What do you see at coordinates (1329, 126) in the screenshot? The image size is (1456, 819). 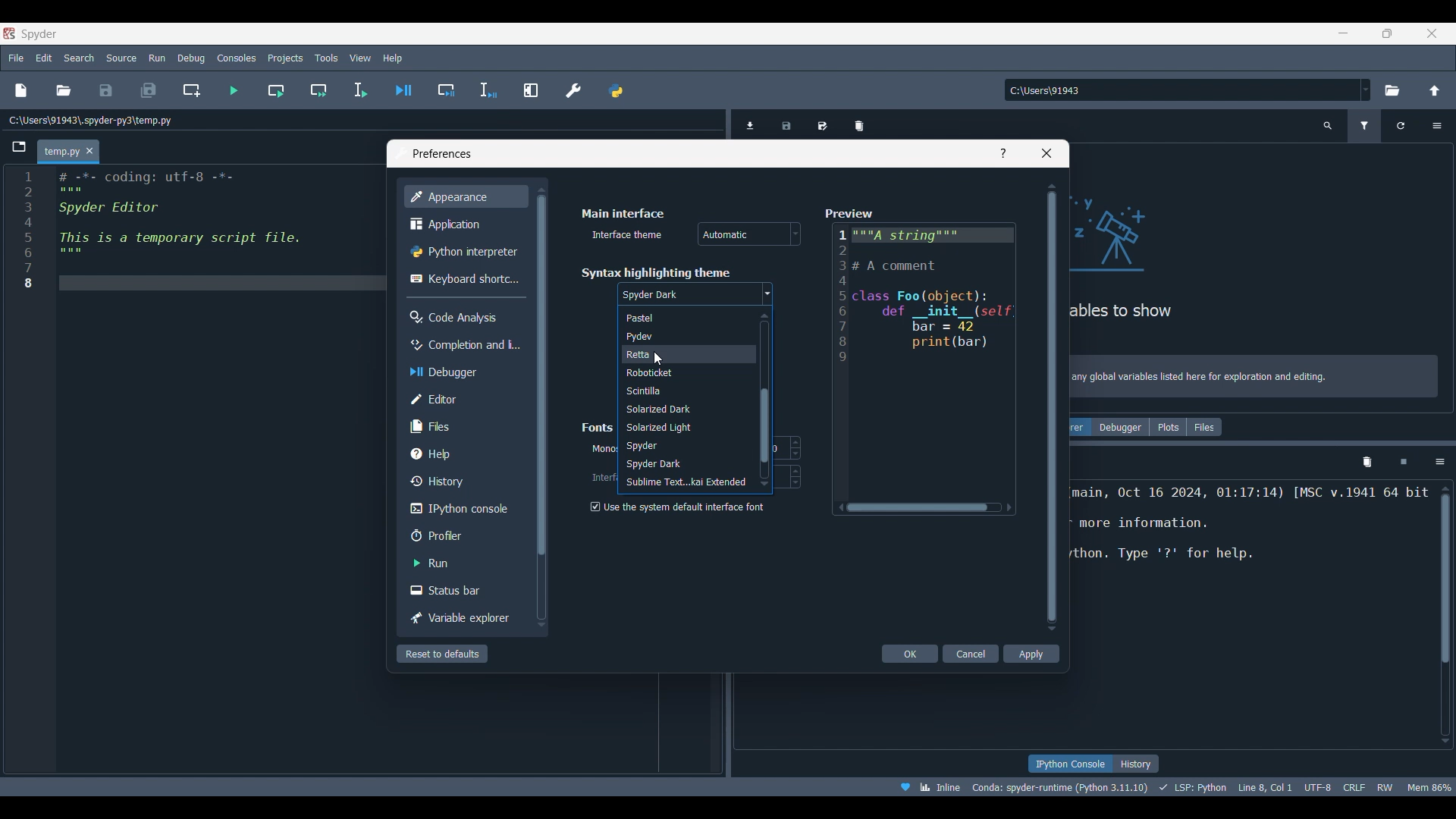 I see `Search variable names and types` at bounding box center [1329, 126].